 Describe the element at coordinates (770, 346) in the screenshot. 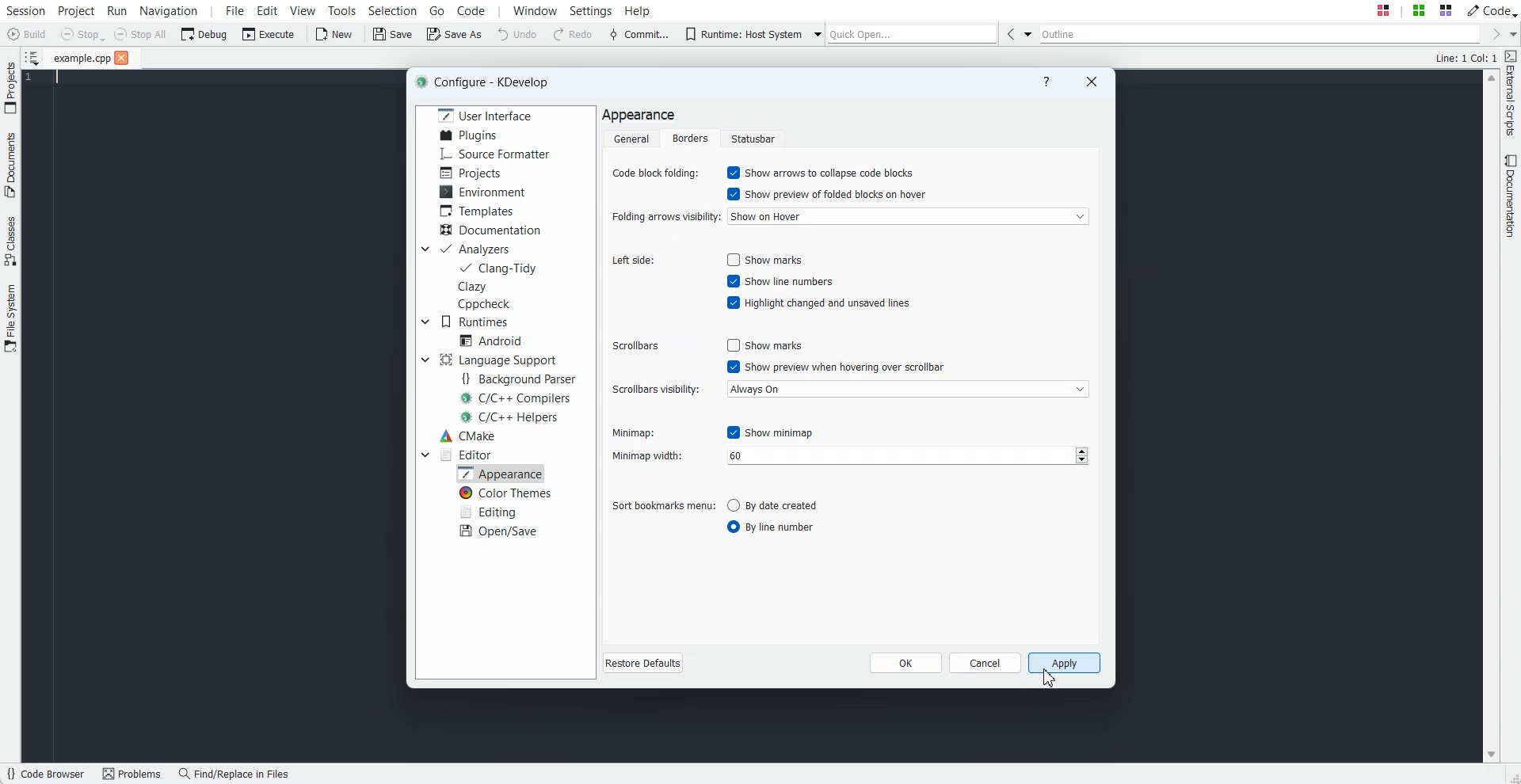

I see `Disable show marks` at that location.